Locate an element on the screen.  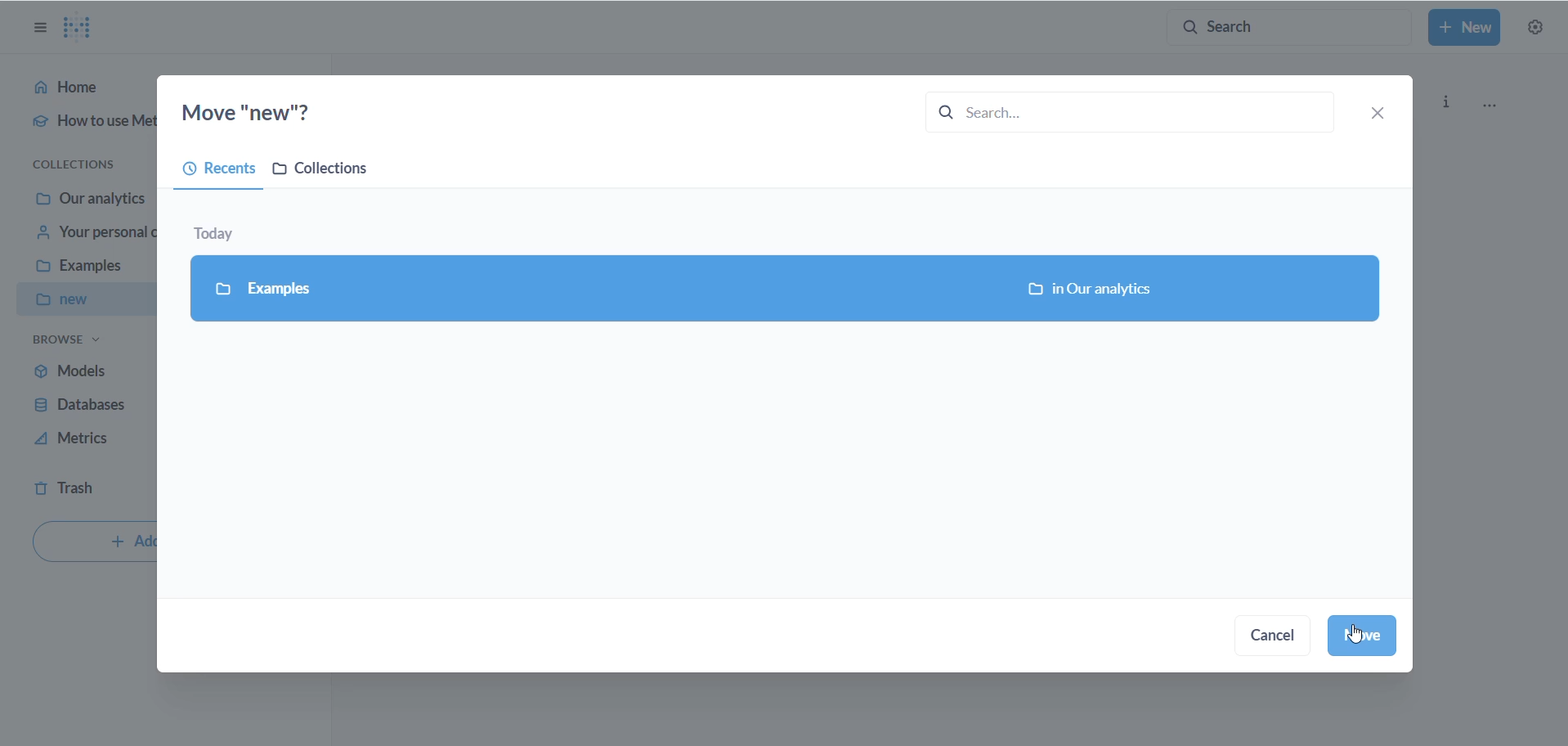
CURSOR is located at coordinates (1363, 636).